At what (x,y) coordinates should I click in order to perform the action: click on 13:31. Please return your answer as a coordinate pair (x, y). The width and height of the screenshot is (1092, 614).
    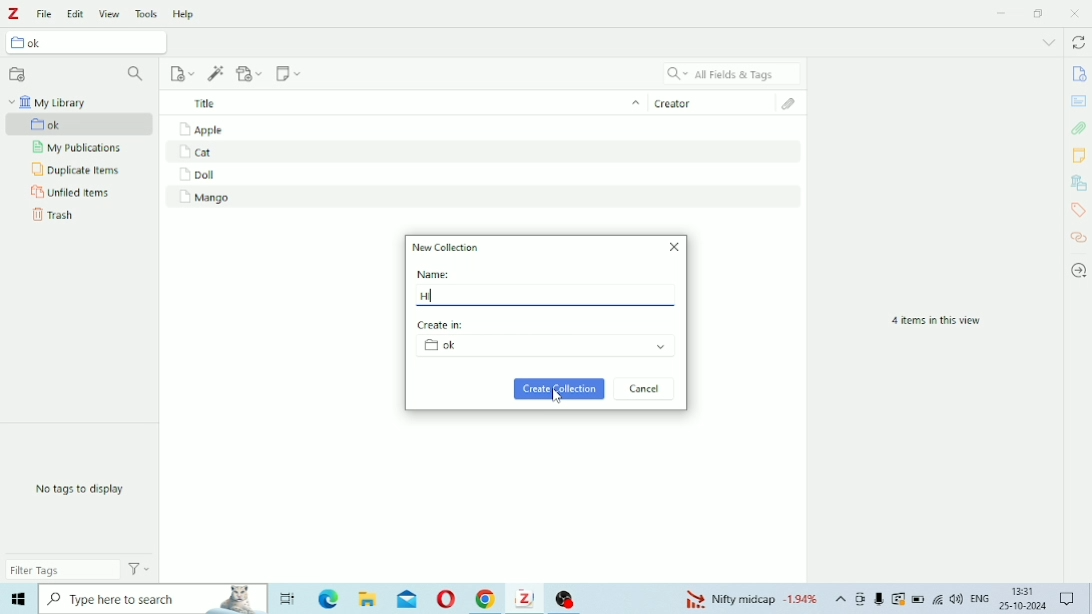
    Looking at the image, I should click on (1025, 591).